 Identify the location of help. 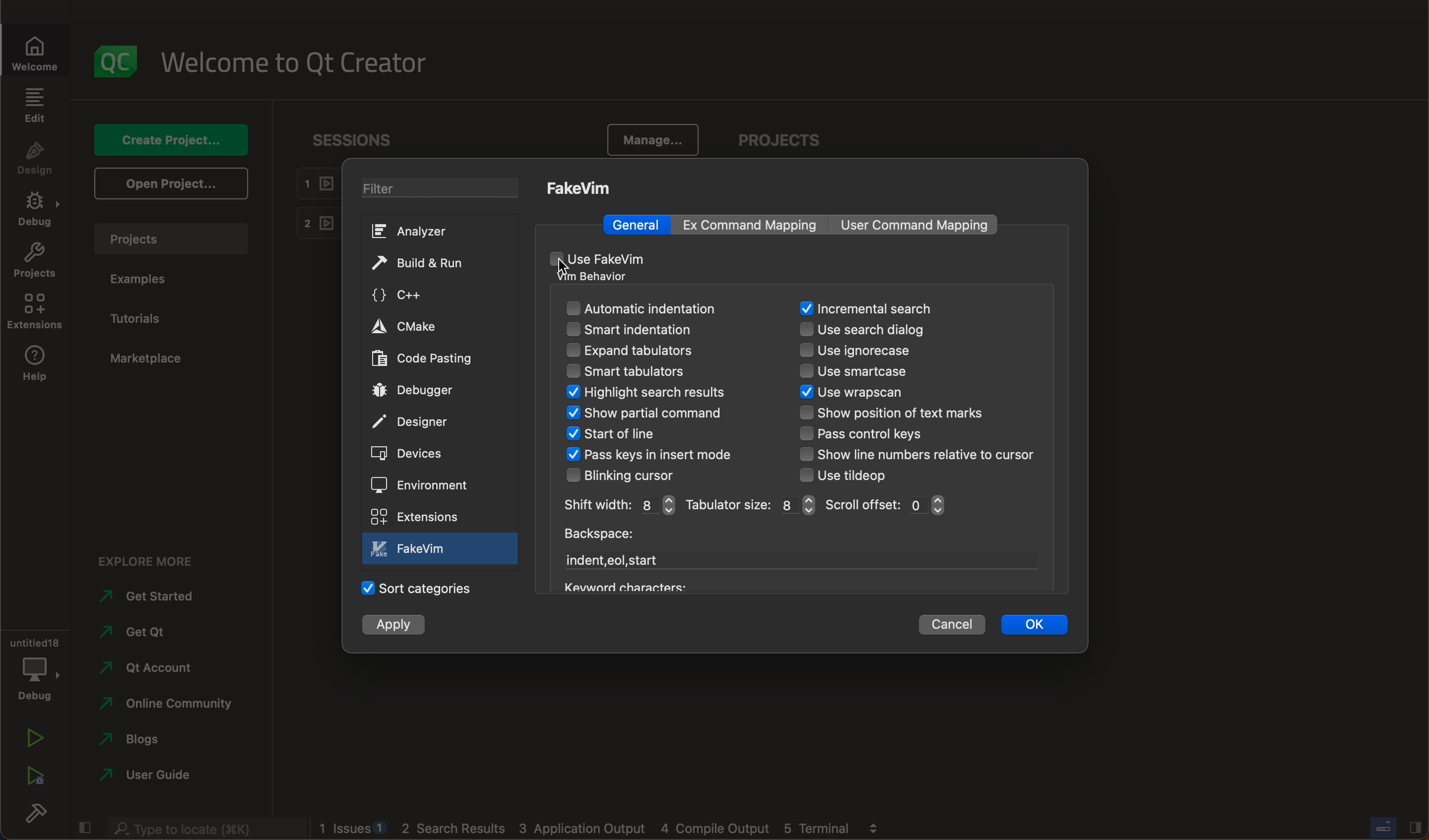
(37, 367).